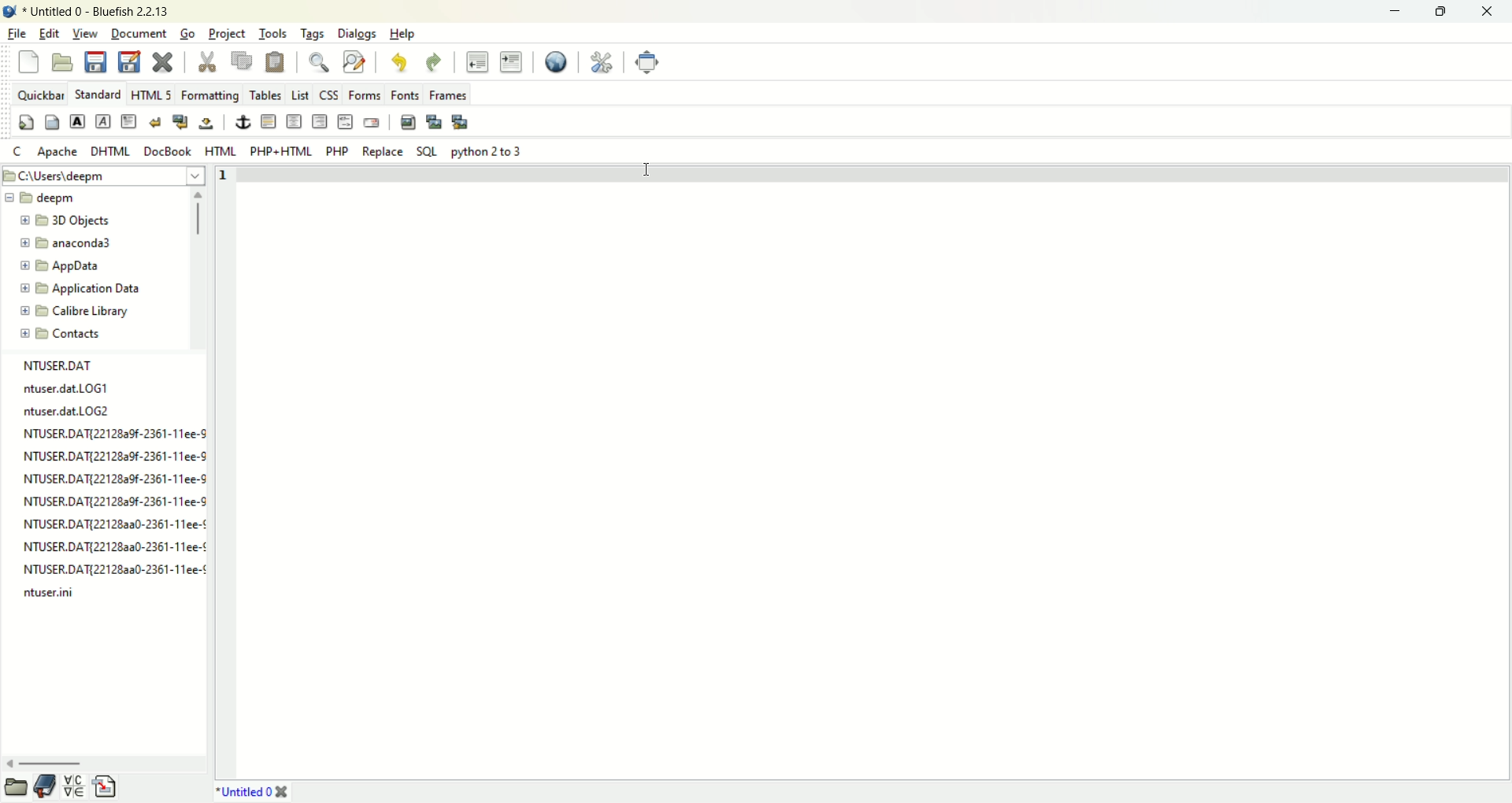 The width and height of the screenshot is (1512, 803). I want to click on editor, so click(875, 463).